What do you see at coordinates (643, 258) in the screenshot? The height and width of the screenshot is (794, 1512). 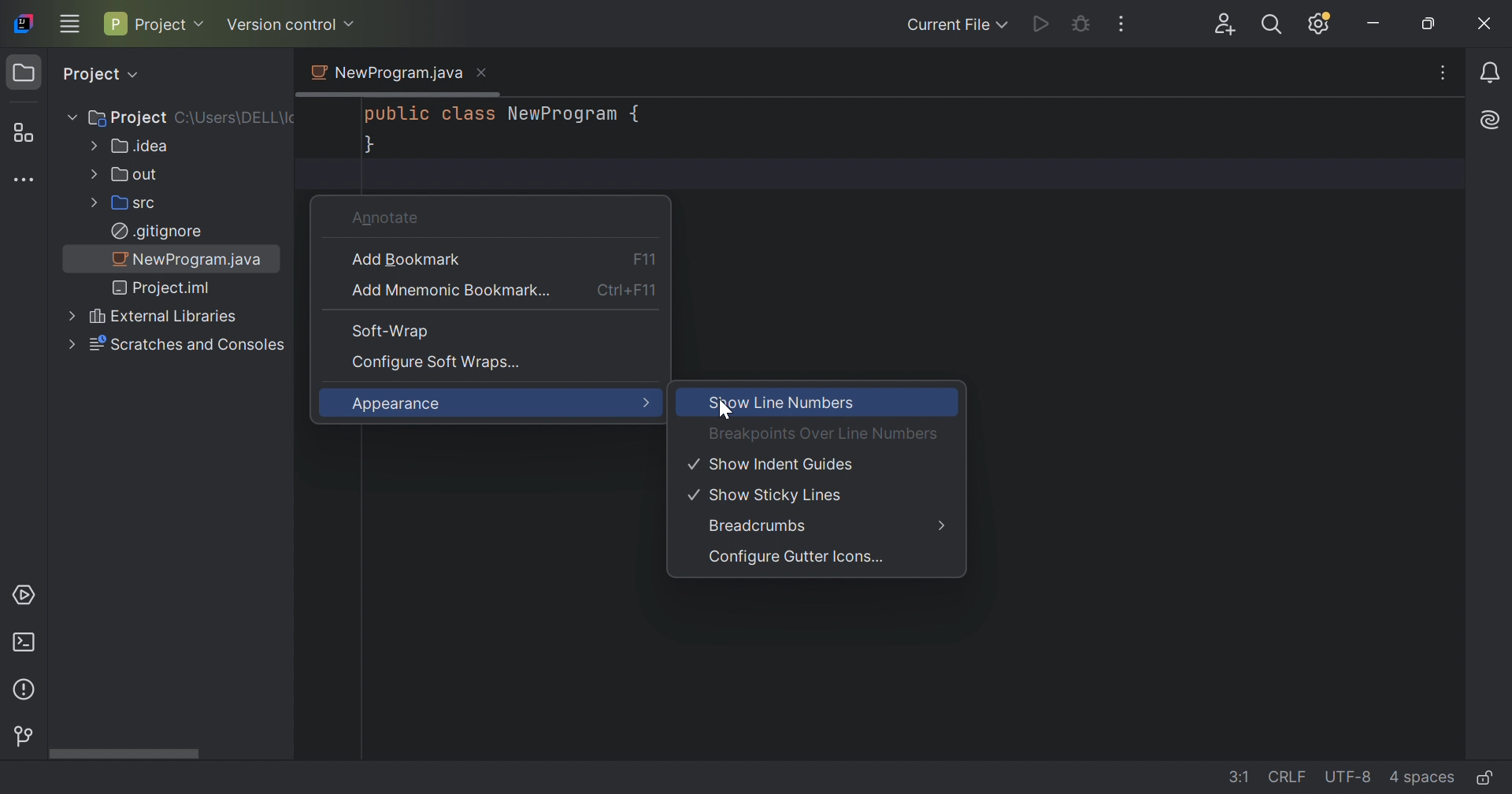 I see `F11` at bounding box center [643, 258].